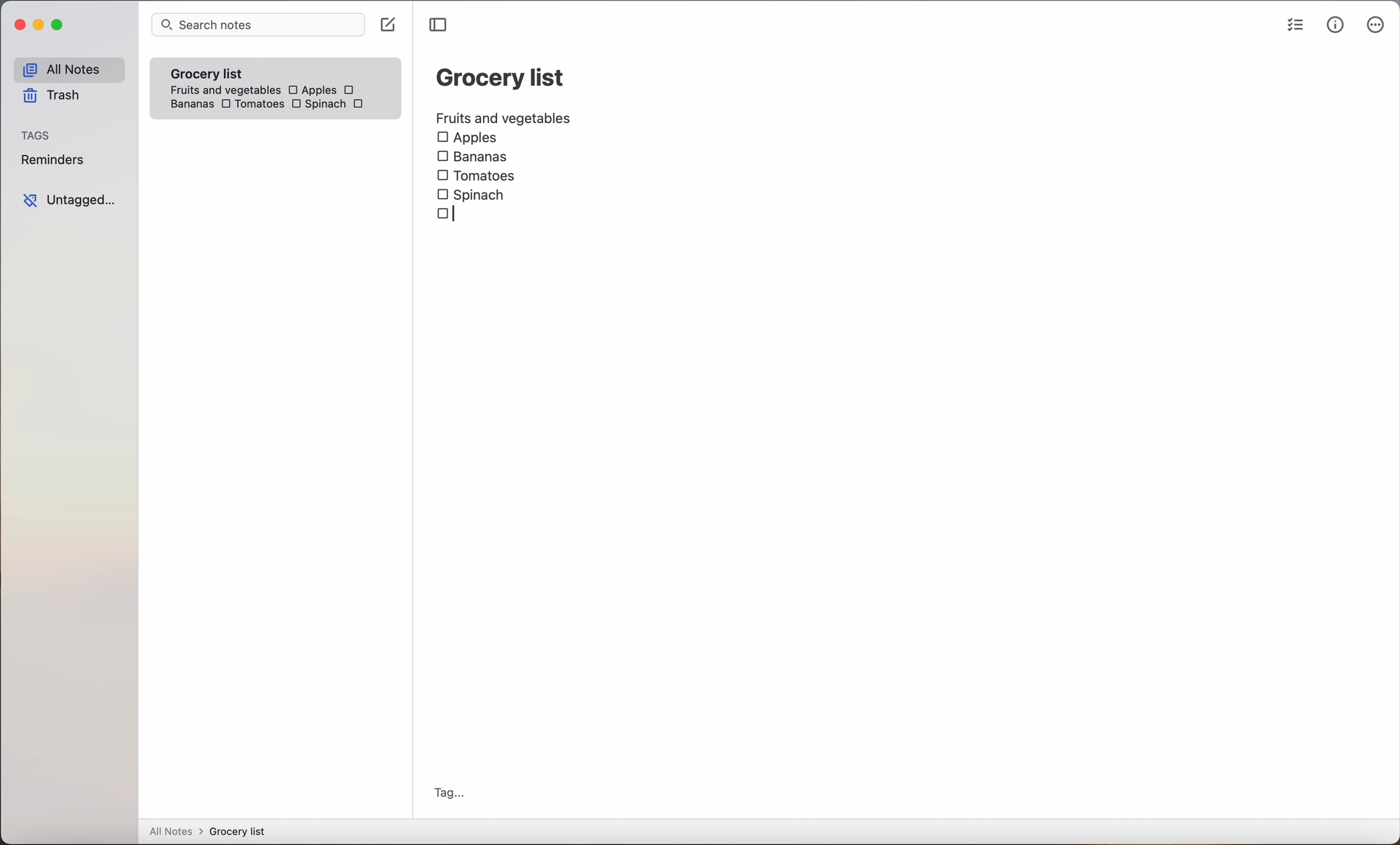 This screenshot has height=845, width=1400. Describe the element at coordinates (60, 26) in the screenshot. I see `maximize Simplenote` at that location.